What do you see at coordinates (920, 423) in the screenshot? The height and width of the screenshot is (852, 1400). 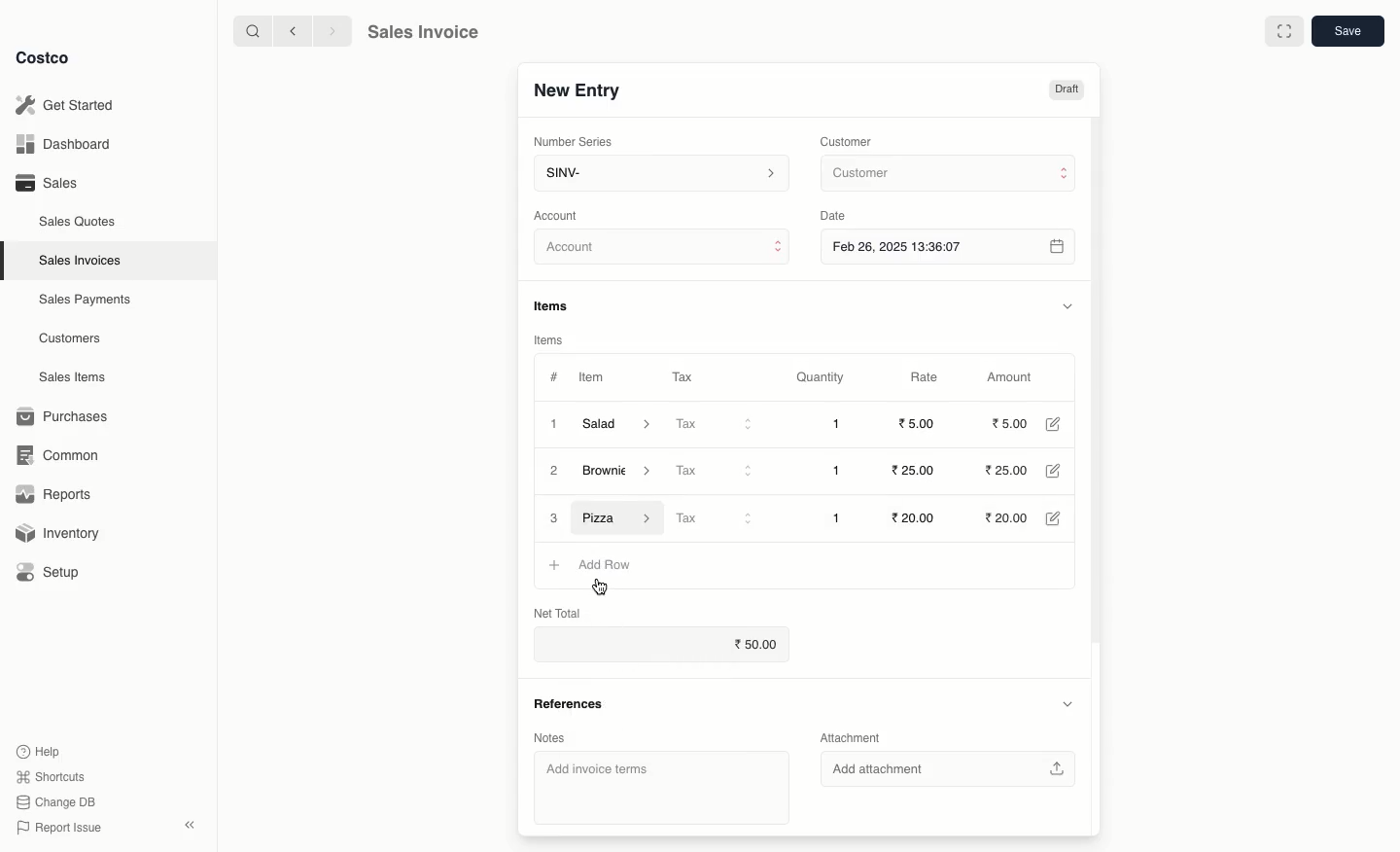 I see `5.00` at bounding box center [920, 423].